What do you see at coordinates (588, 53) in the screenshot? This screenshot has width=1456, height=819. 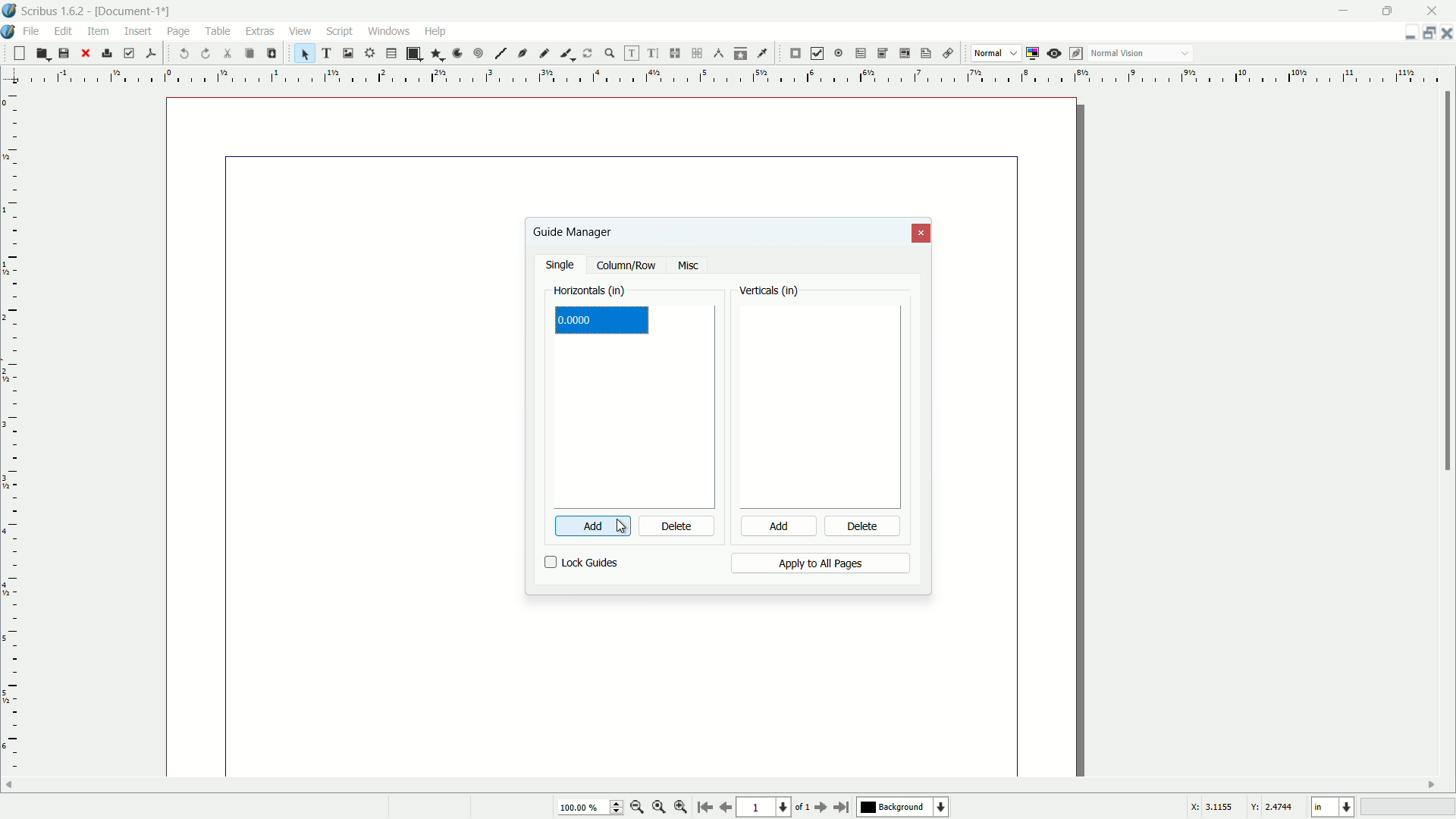 I see `rotate item` at bounding box center [588, 53].